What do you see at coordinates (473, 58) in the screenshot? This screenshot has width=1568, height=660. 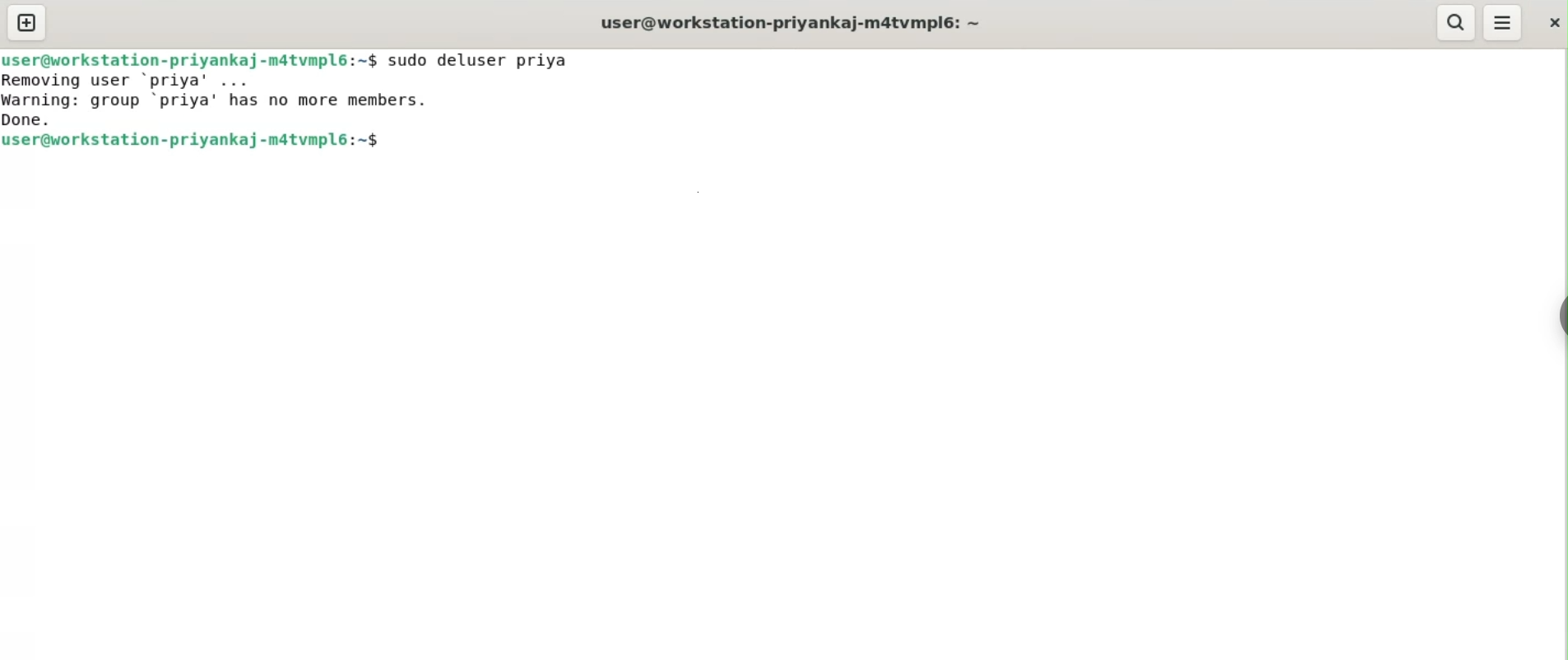 I see `$ sudo deluser priya` at bounding box center [473, 58].